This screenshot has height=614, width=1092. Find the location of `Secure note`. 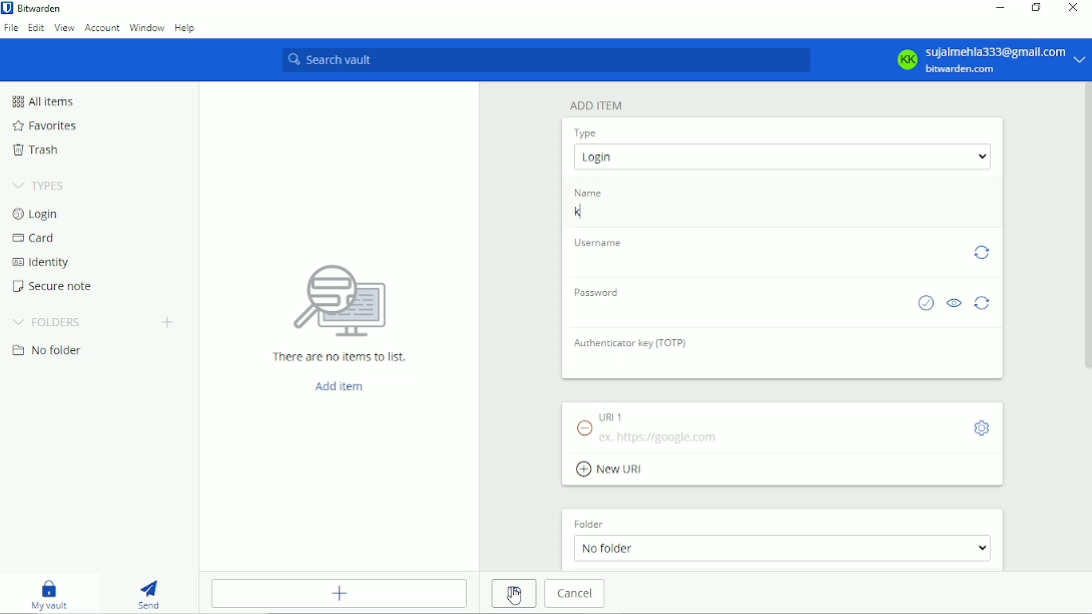

Secure note is located at coordinates (53, 286).